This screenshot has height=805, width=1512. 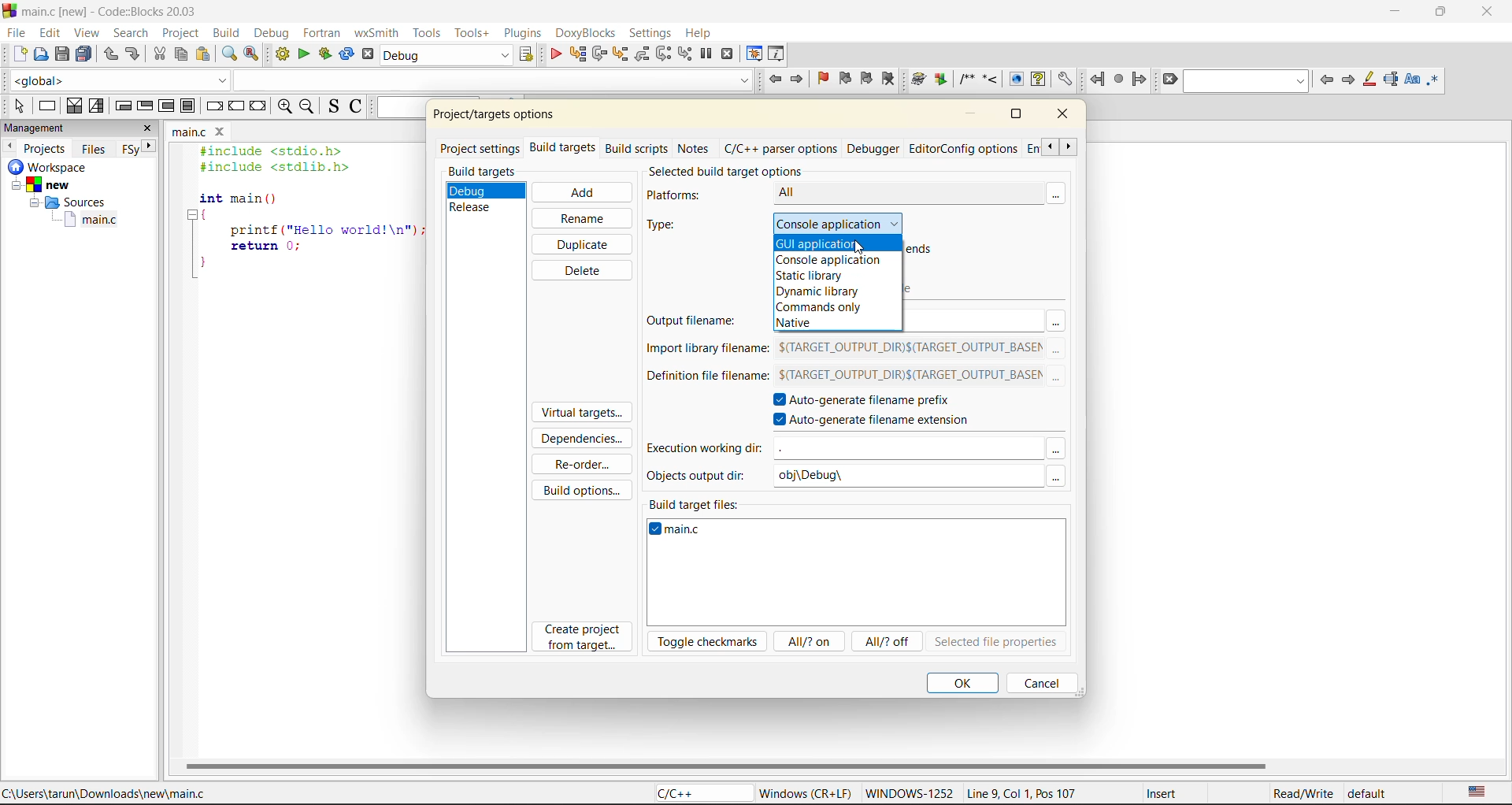 I want to click on Run HTML Help documentation, so click(x=1039, y=80).